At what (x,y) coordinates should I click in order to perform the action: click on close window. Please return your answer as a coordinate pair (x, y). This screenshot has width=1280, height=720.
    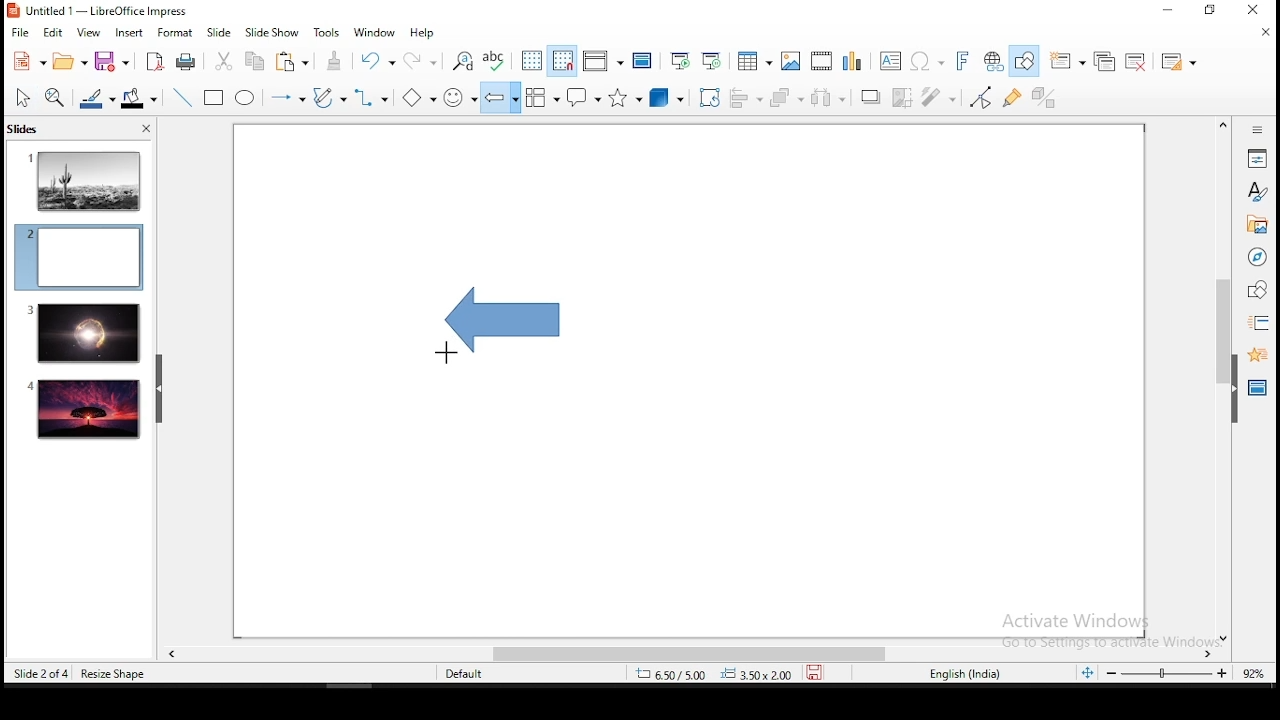
    Looking at the image, I should click on (1257, 11).